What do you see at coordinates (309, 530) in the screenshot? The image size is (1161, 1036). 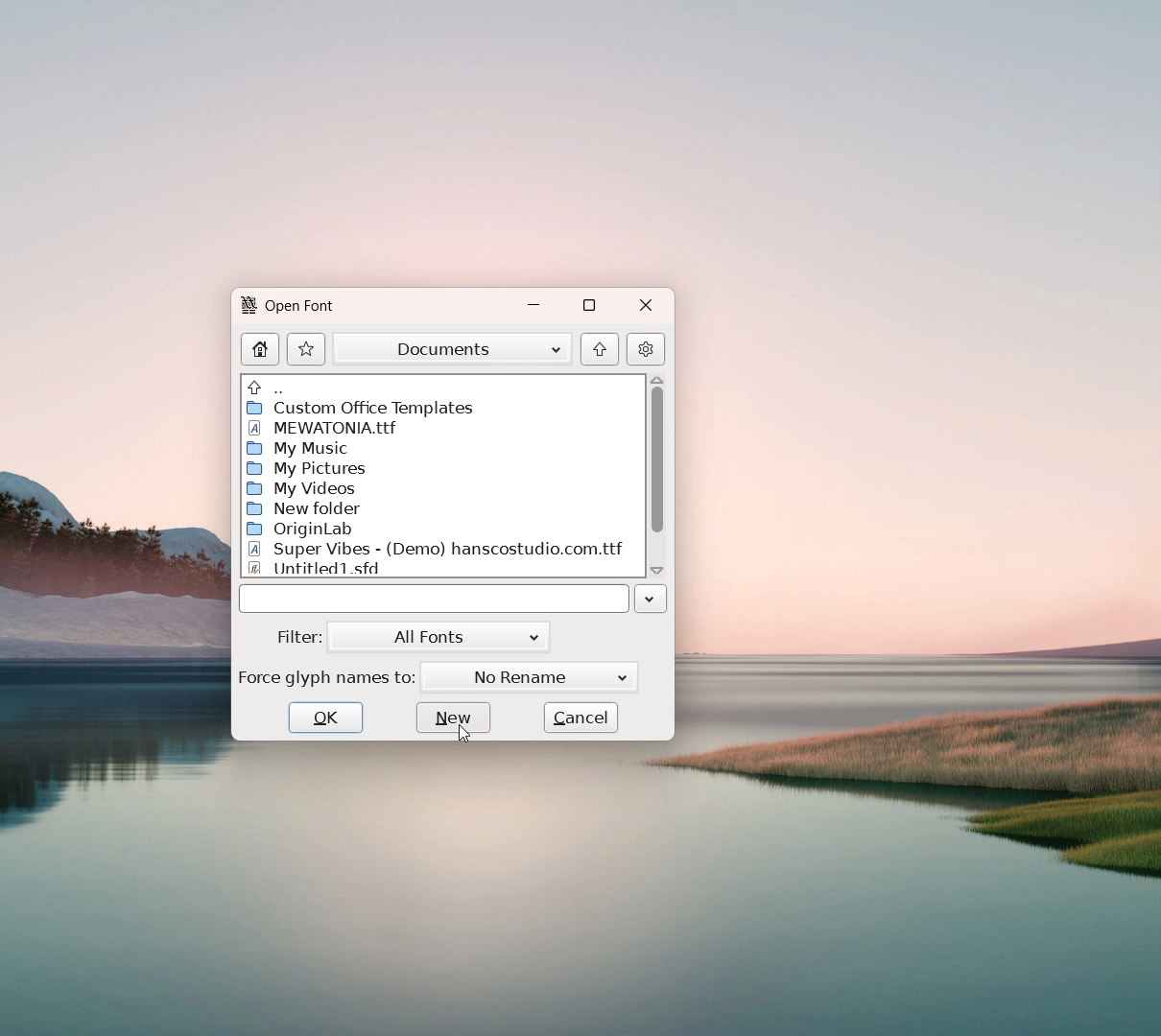 I see `OriginLab` at bounding box center [309, 530].